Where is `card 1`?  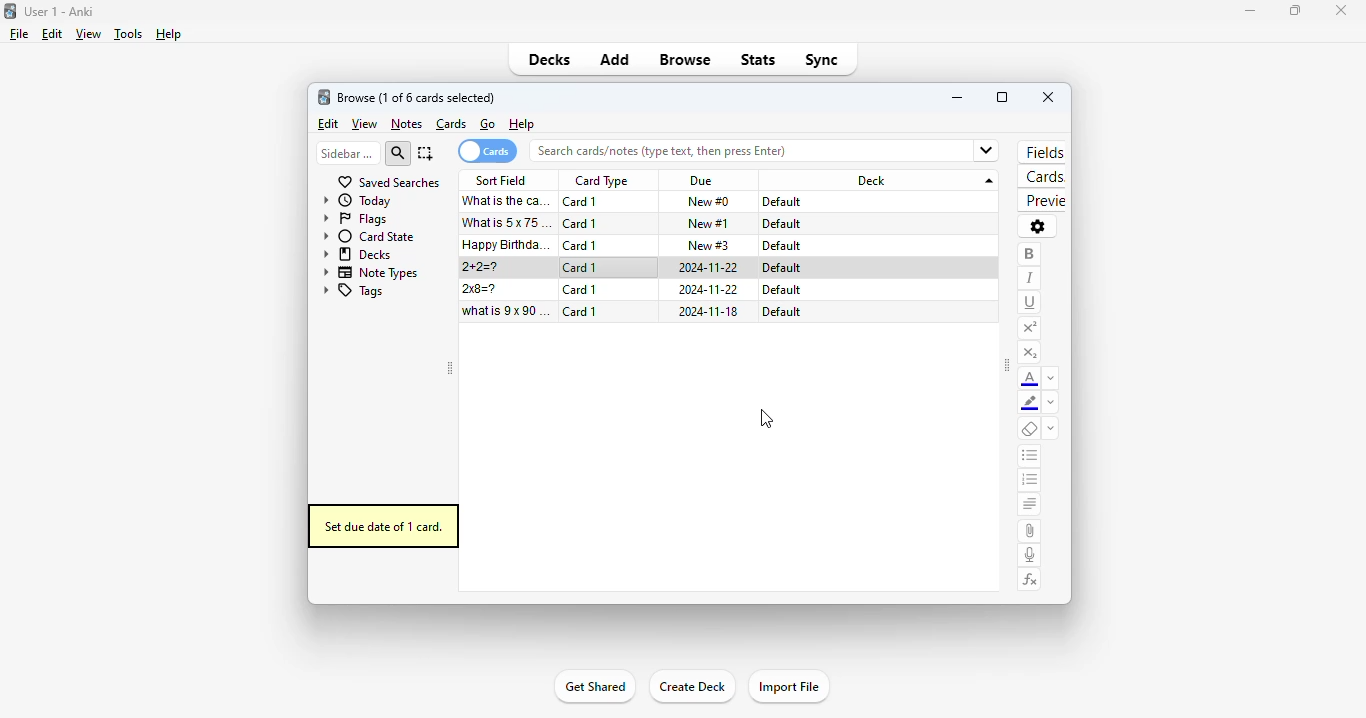 card 1 is located at coordinates (581, 245).